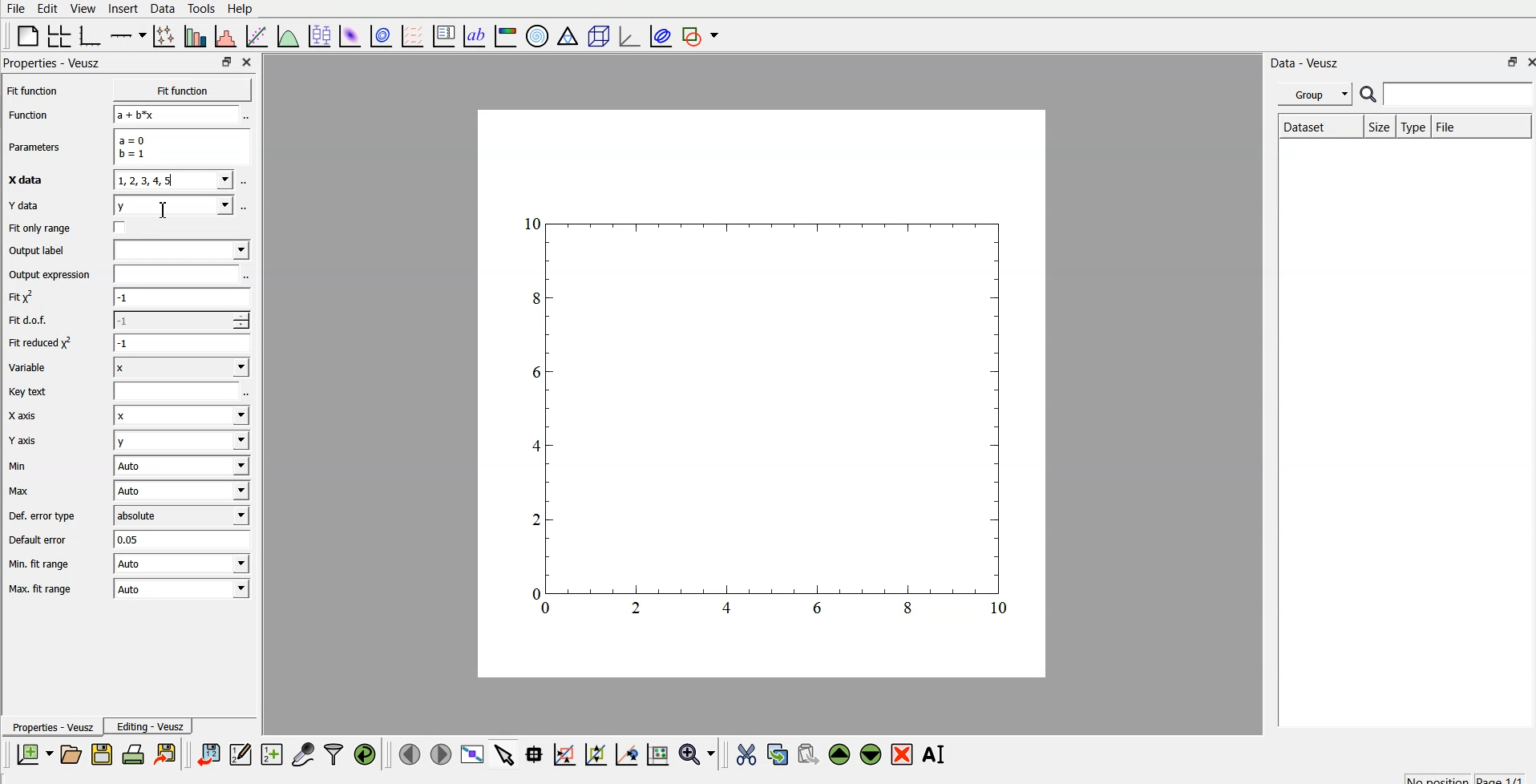  What do you see at coordinates (209, 755) in the screenshot?
I see `import data into veusz` at bounding box center [209, 755].